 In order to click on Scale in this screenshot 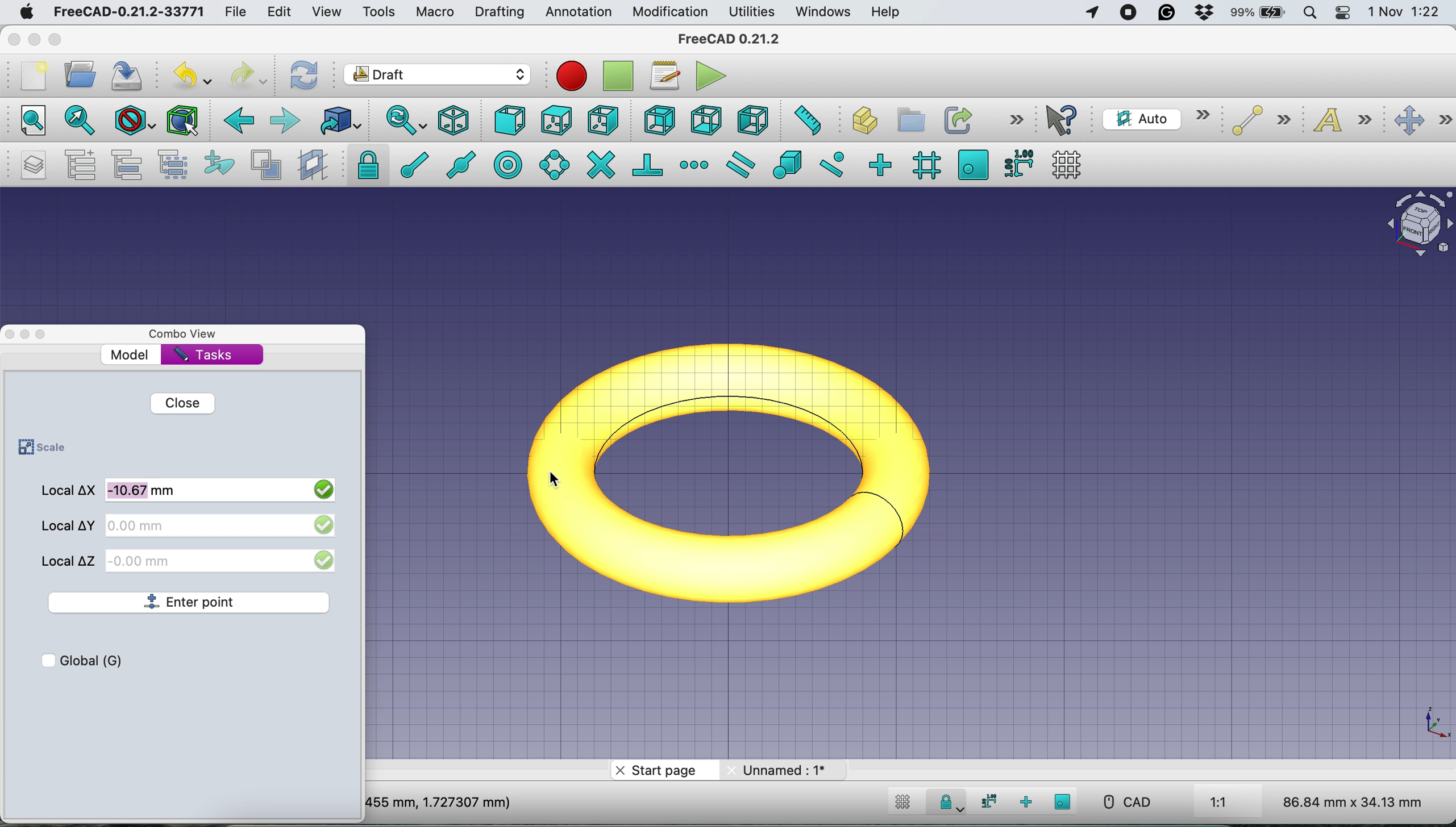, I will do `click(1434, 724)`.